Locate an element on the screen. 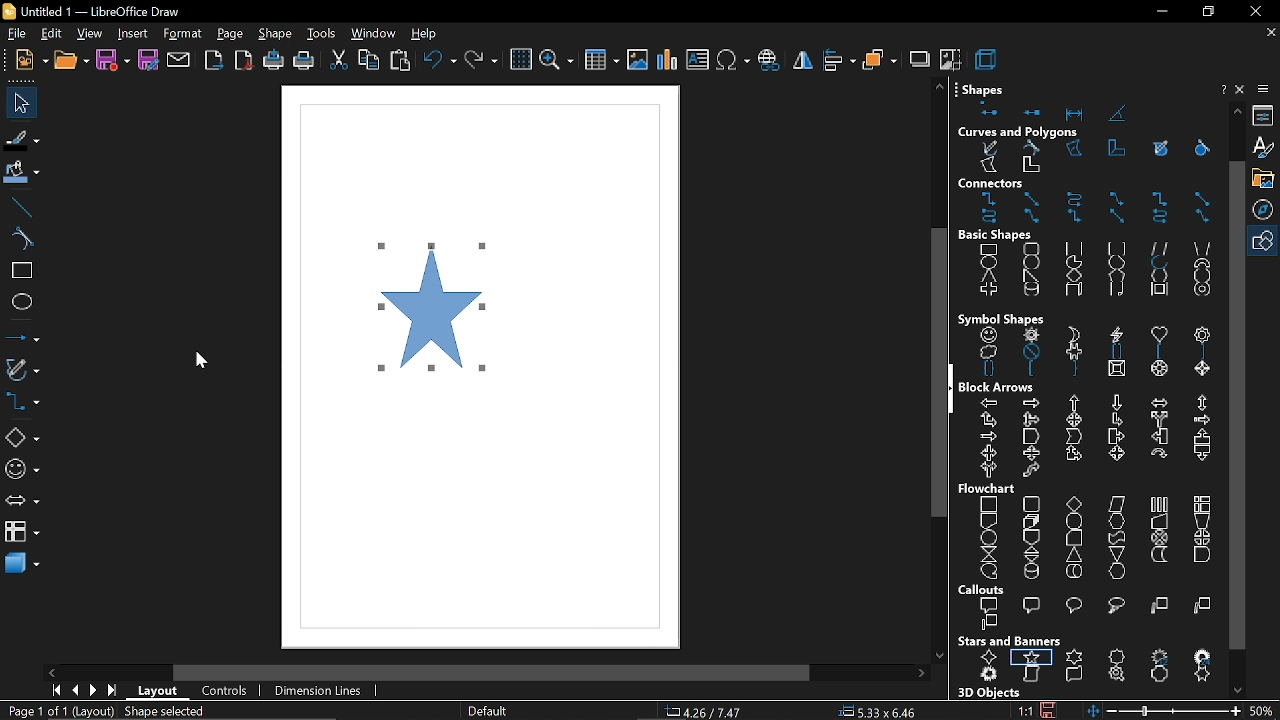  help is located at coordinates (427, 34).